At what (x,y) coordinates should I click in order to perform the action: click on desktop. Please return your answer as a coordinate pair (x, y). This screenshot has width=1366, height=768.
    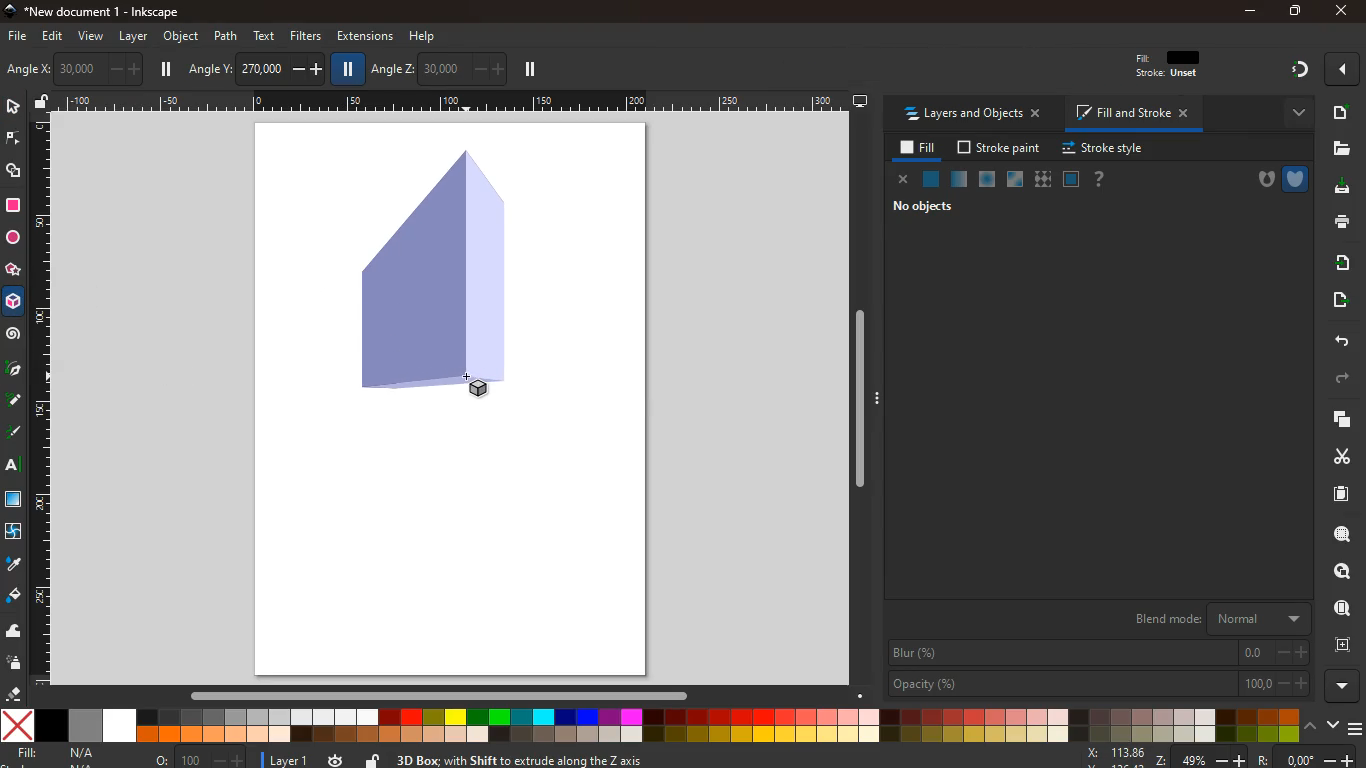
    Looking at the image, I should click on (860, 102).